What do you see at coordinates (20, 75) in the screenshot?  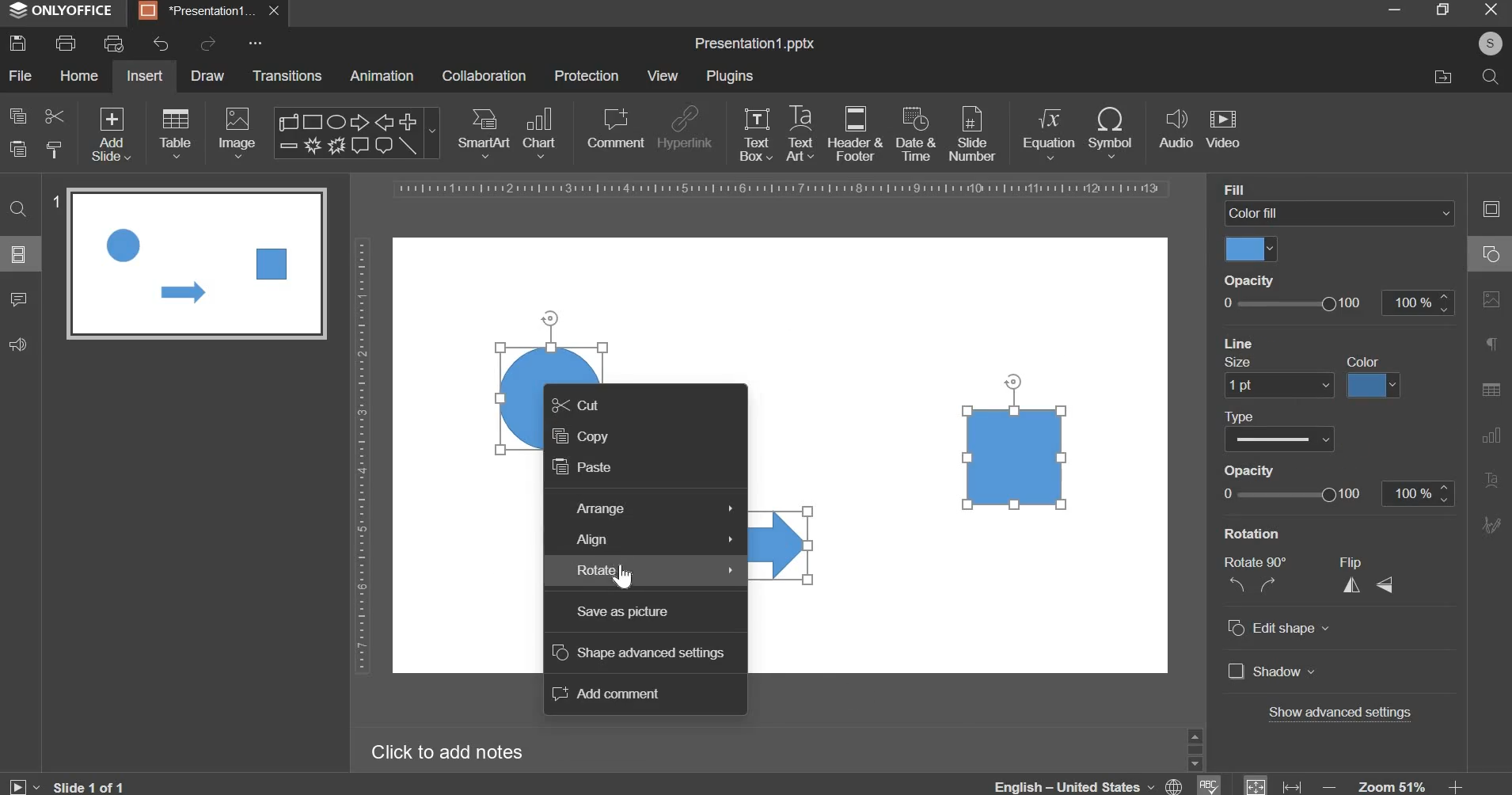 I see `file` at bounding box center [20, 75].